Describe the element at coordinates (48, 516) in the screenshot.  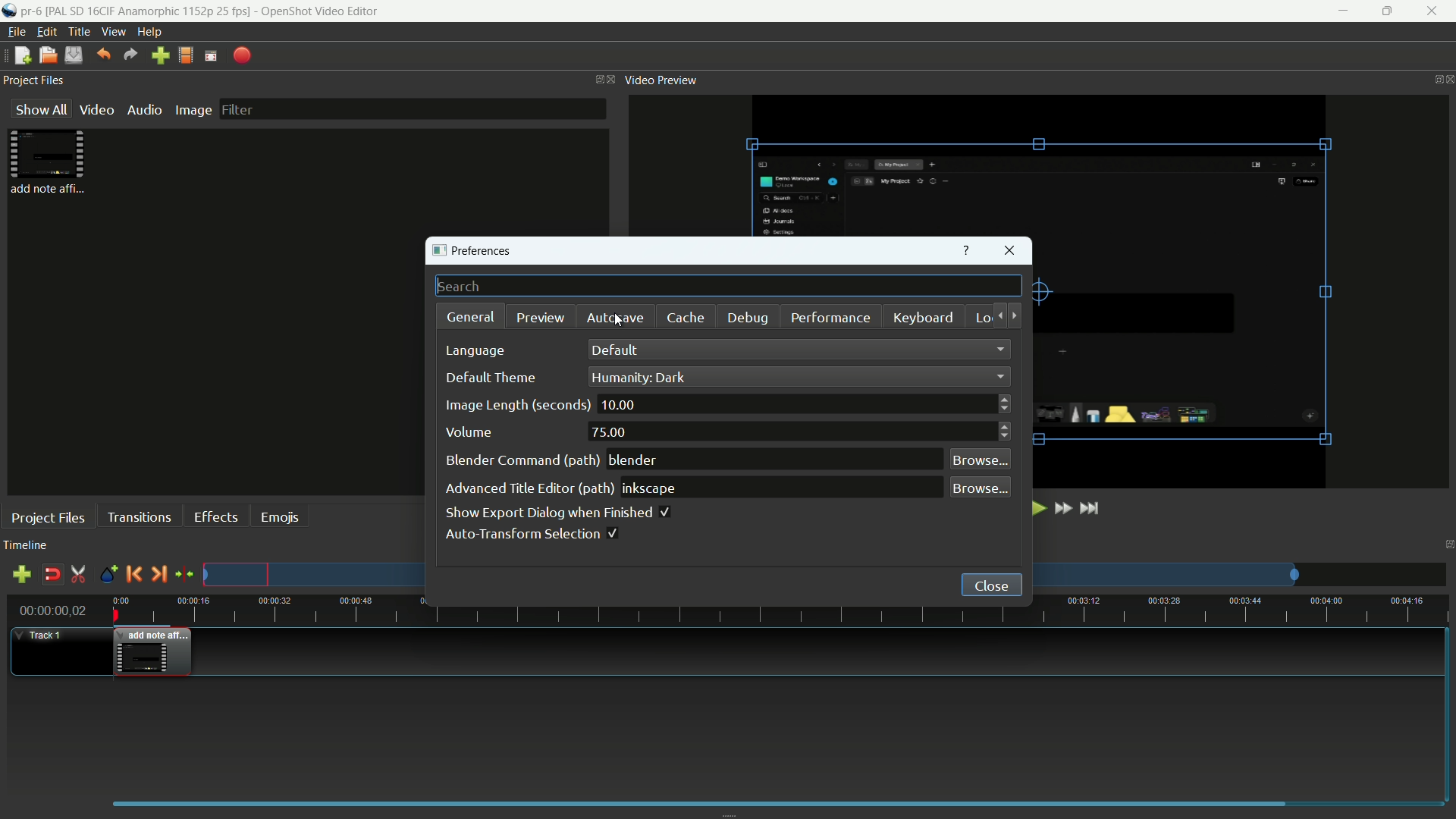
I see `project files` at that location.